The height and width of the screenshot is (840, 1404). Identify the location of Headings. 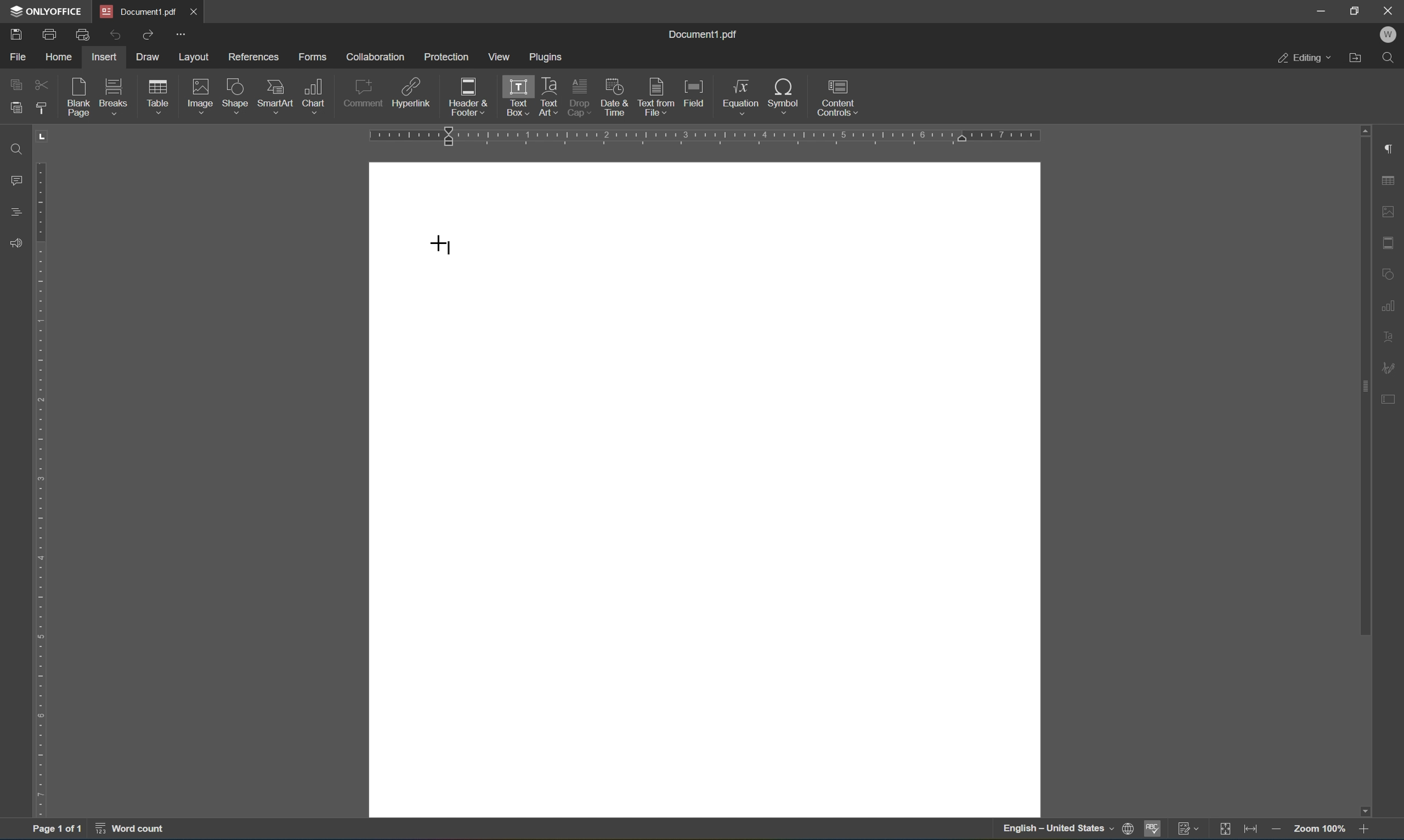
(17, 212).